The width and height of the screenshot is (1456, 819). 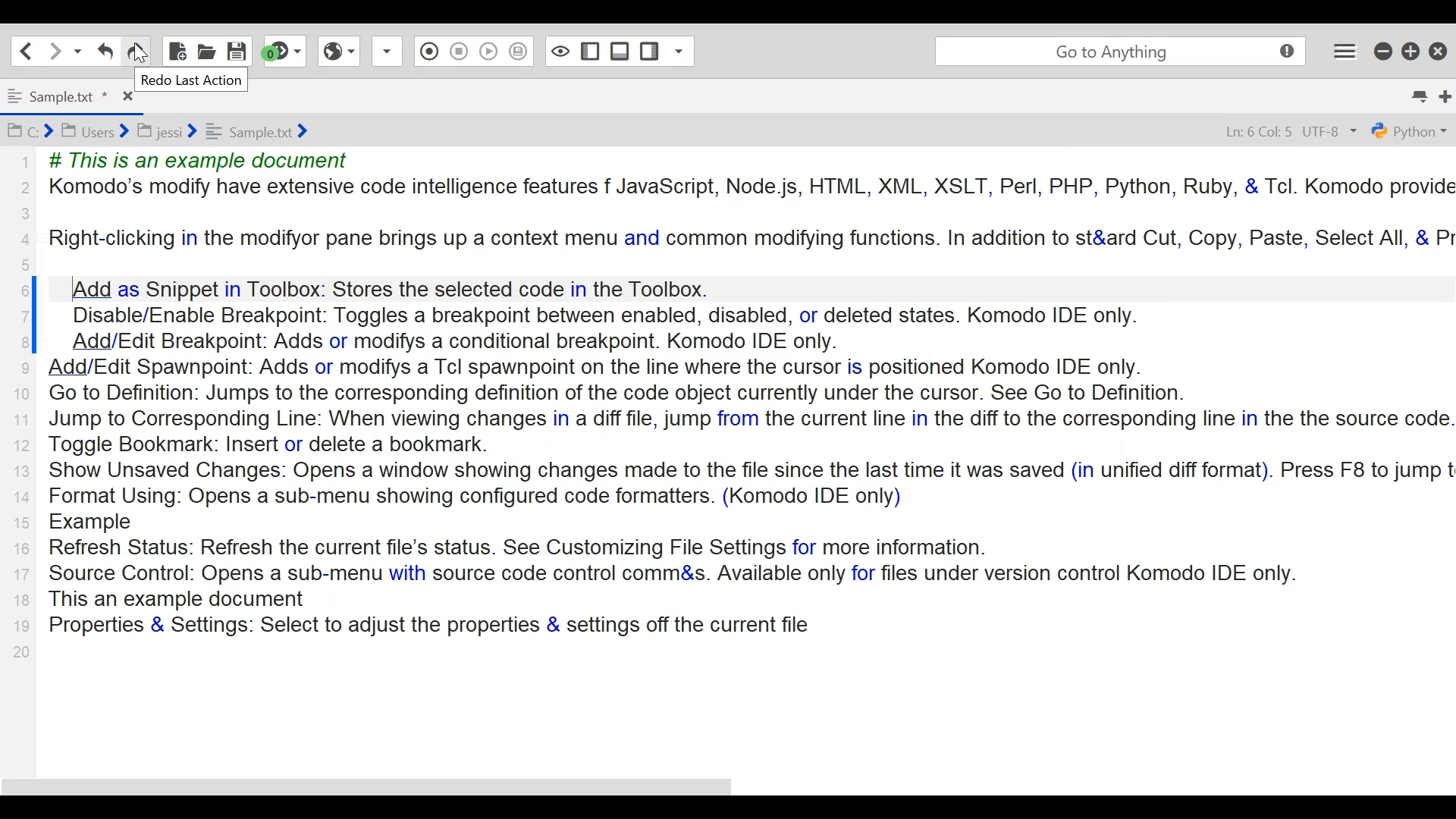 I want to click on minimize, so click(x=1385, y=50).